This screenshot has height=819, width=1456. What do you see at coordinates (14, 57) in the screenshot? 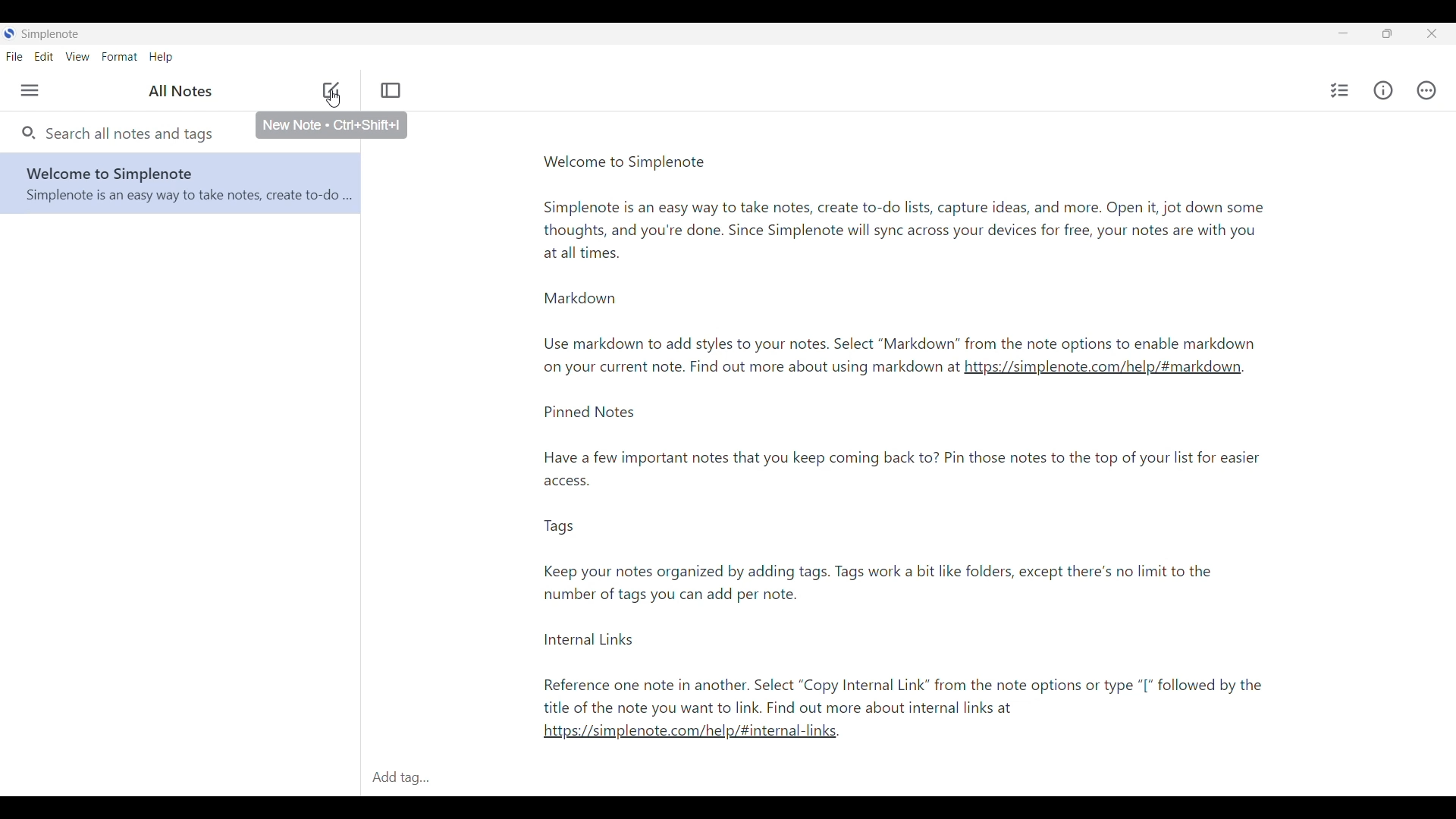
I see `File` at bounding box center [14, 57].